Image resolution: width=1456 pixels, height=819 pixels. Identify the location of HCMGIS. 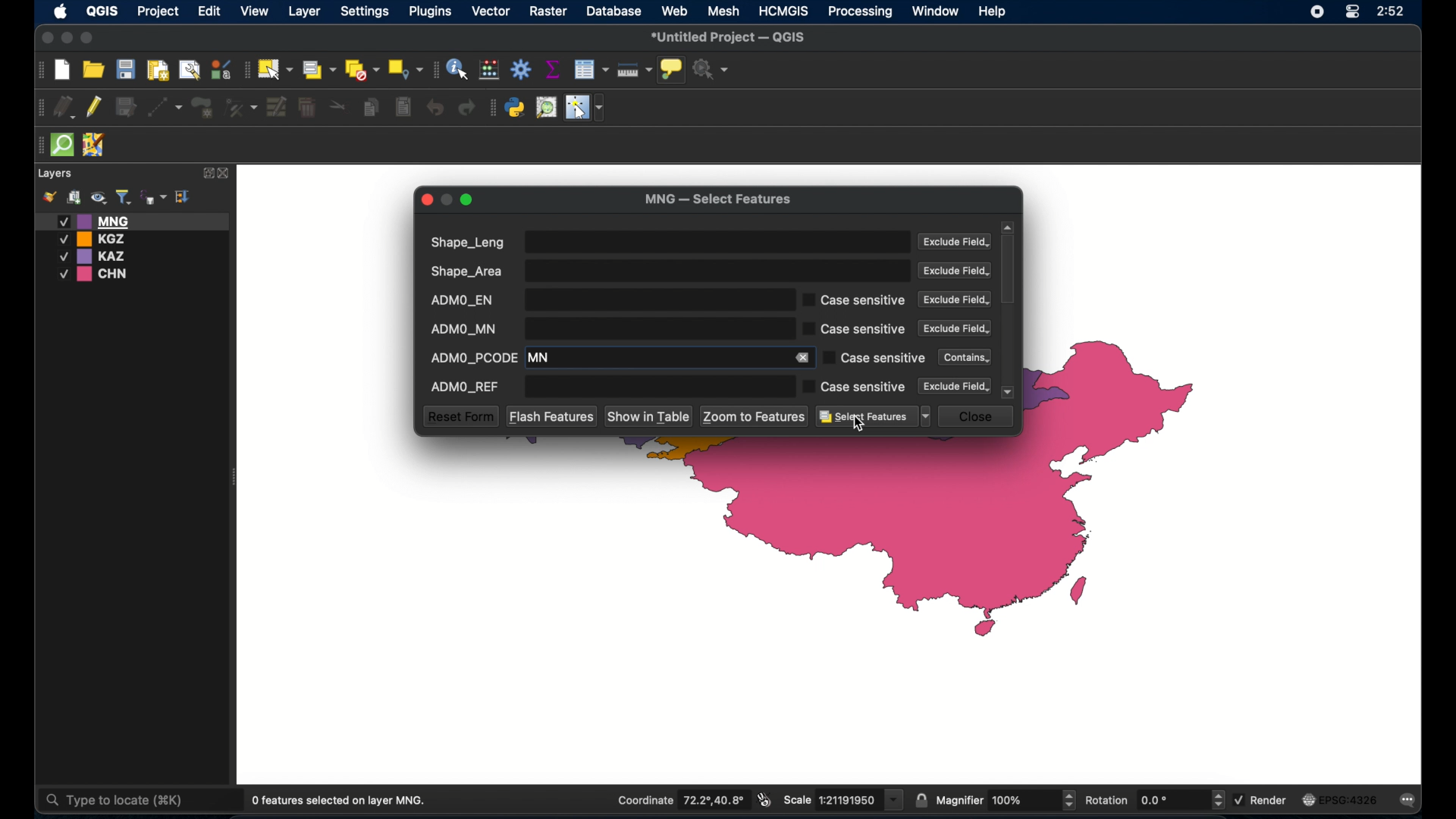
(784, 11).